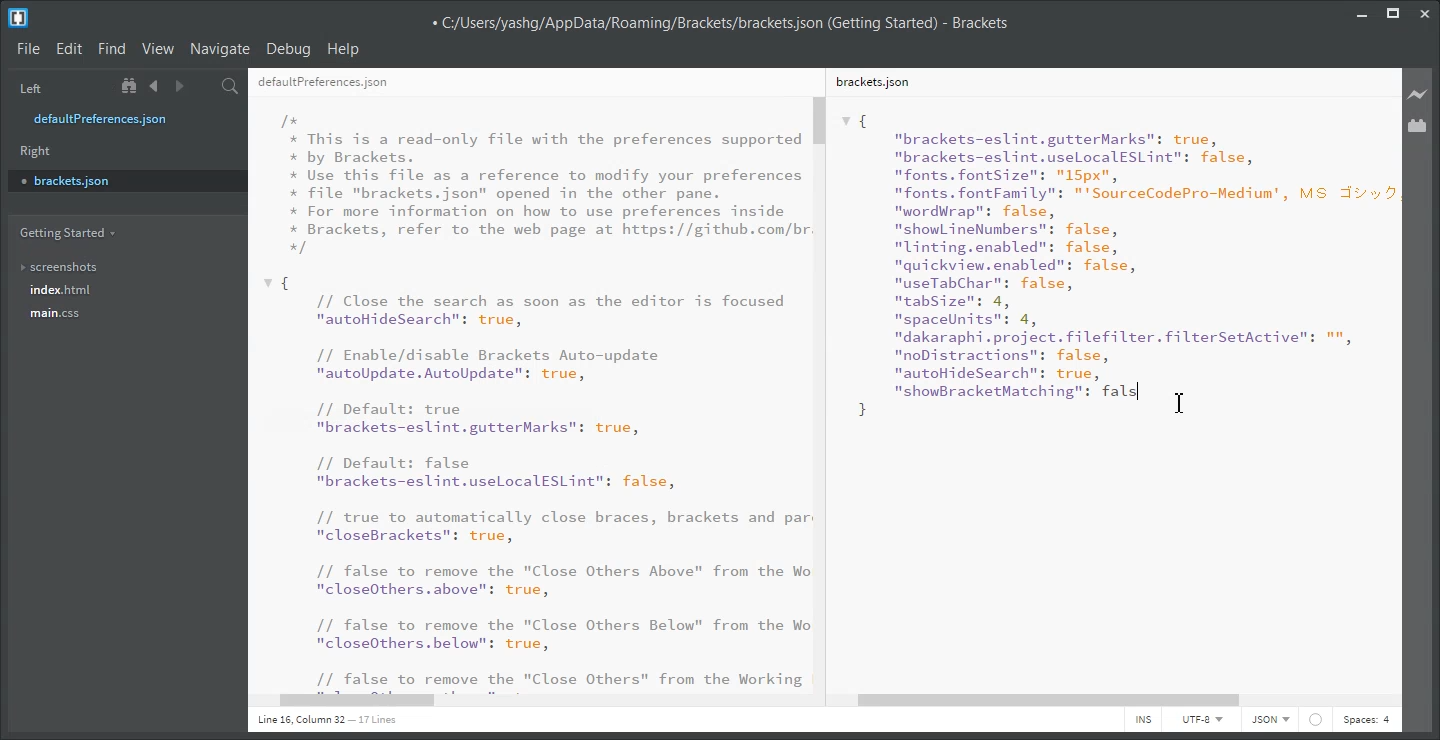  I want to click on Navigate Backward, so click(154, 86).